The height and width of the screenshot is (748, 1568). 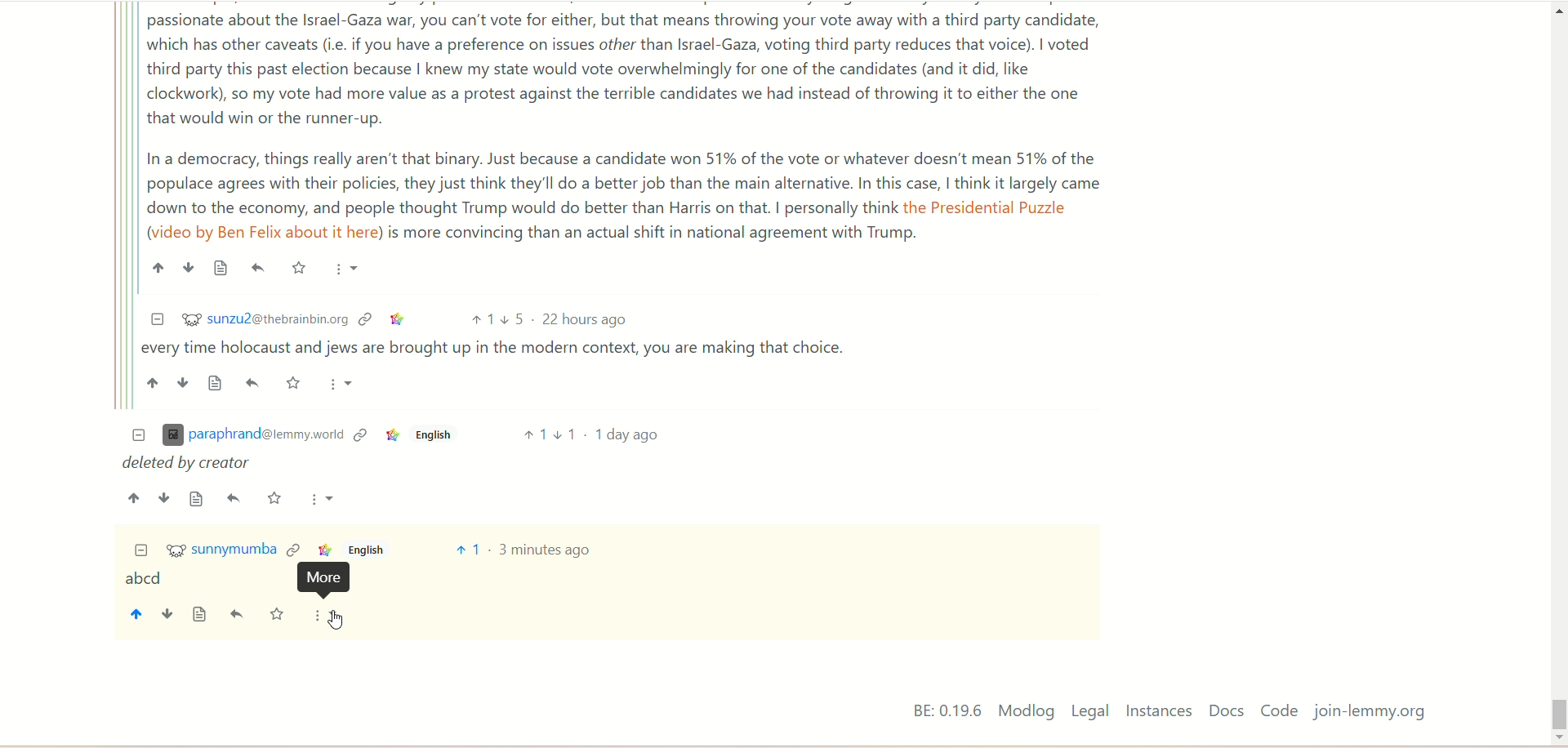 I want to click on 3 minutes ago, so click(x=546, y=550).